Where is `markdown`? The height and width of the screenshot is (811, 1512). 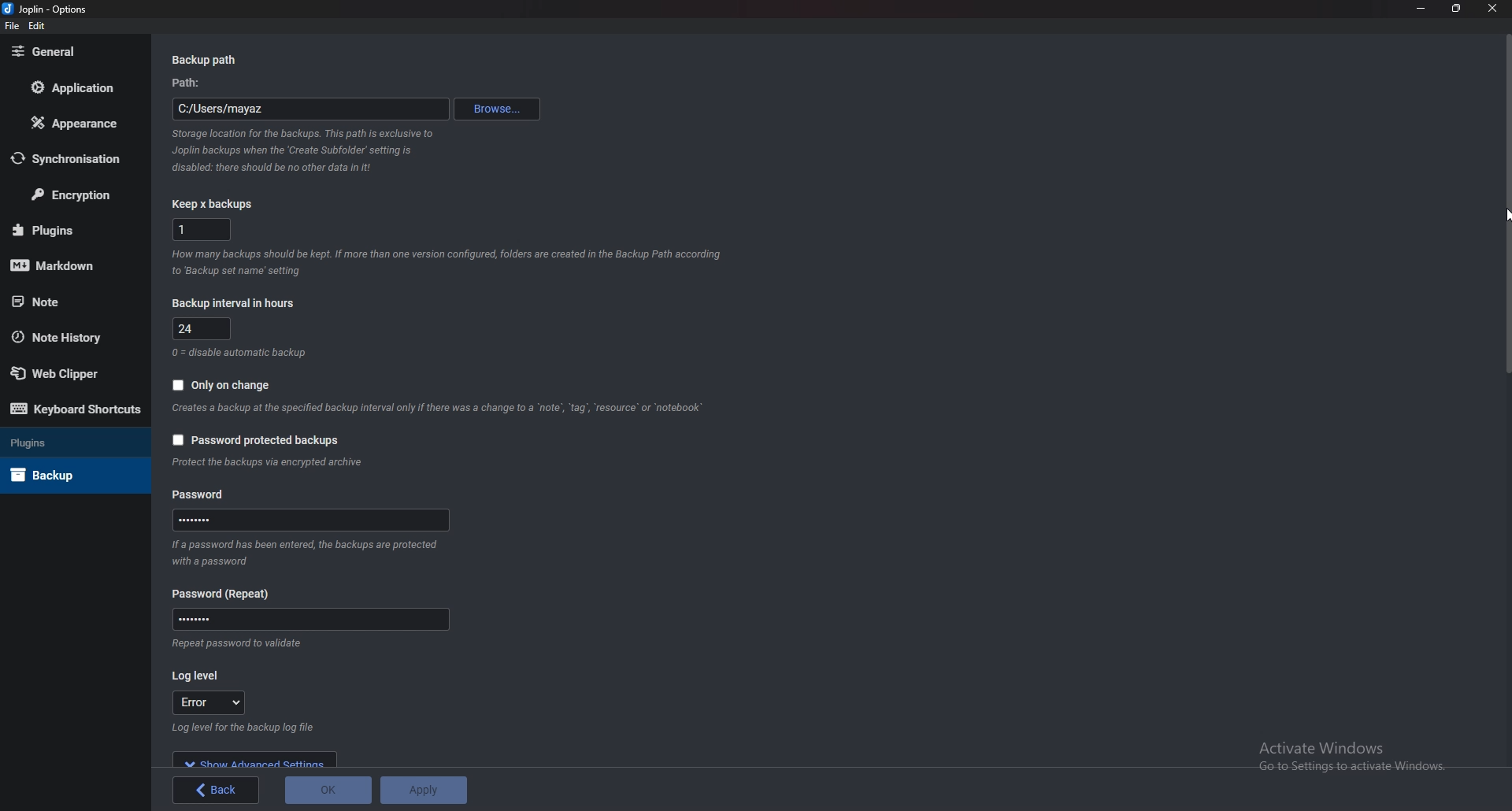
markdown is located at coordinates (69, 264).